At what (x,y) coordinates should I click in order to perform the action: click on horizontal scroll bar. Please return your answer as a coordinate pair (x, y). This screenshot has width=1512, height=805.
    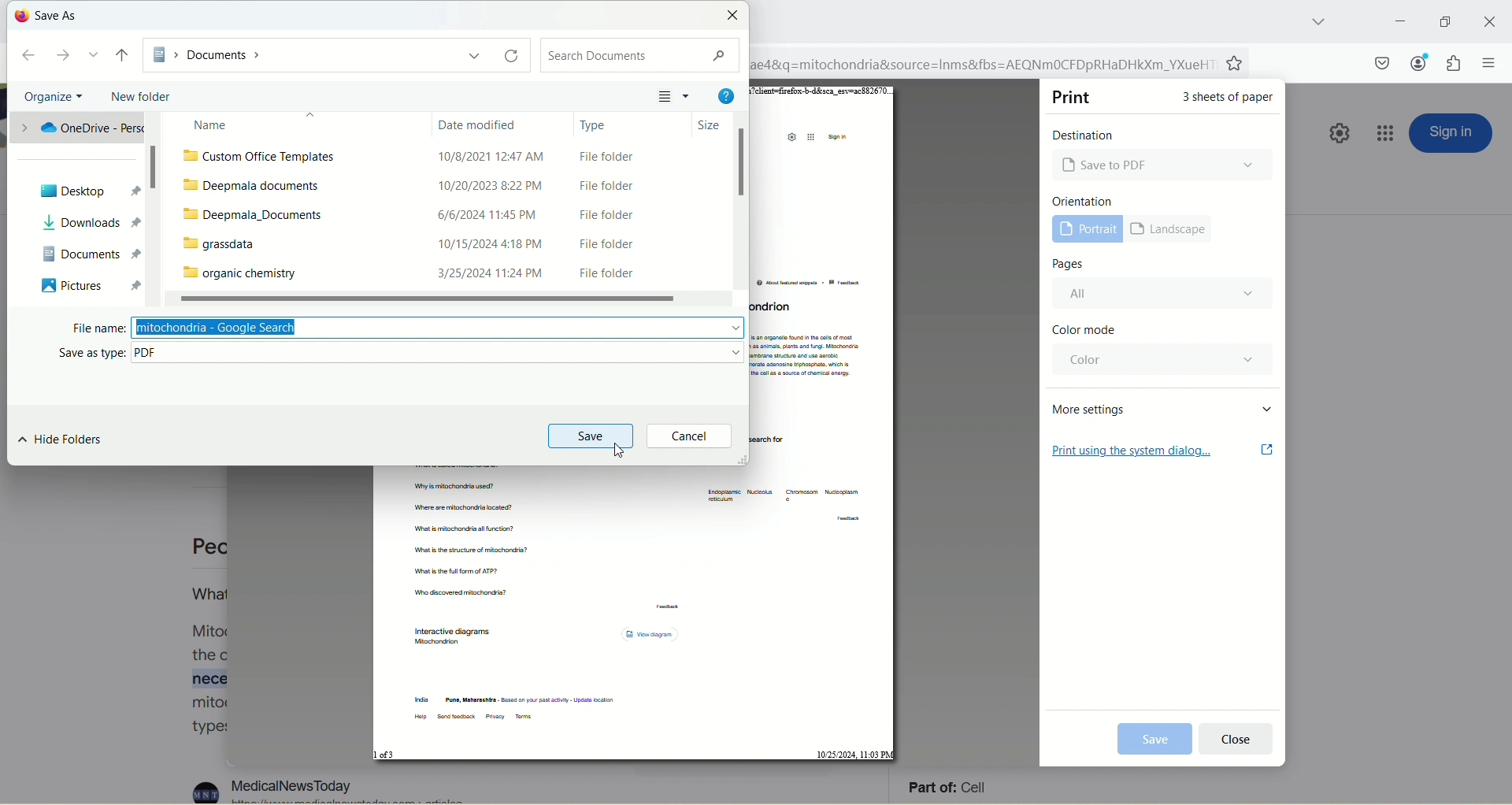
    Looking at the image, I should click on (422, 299).